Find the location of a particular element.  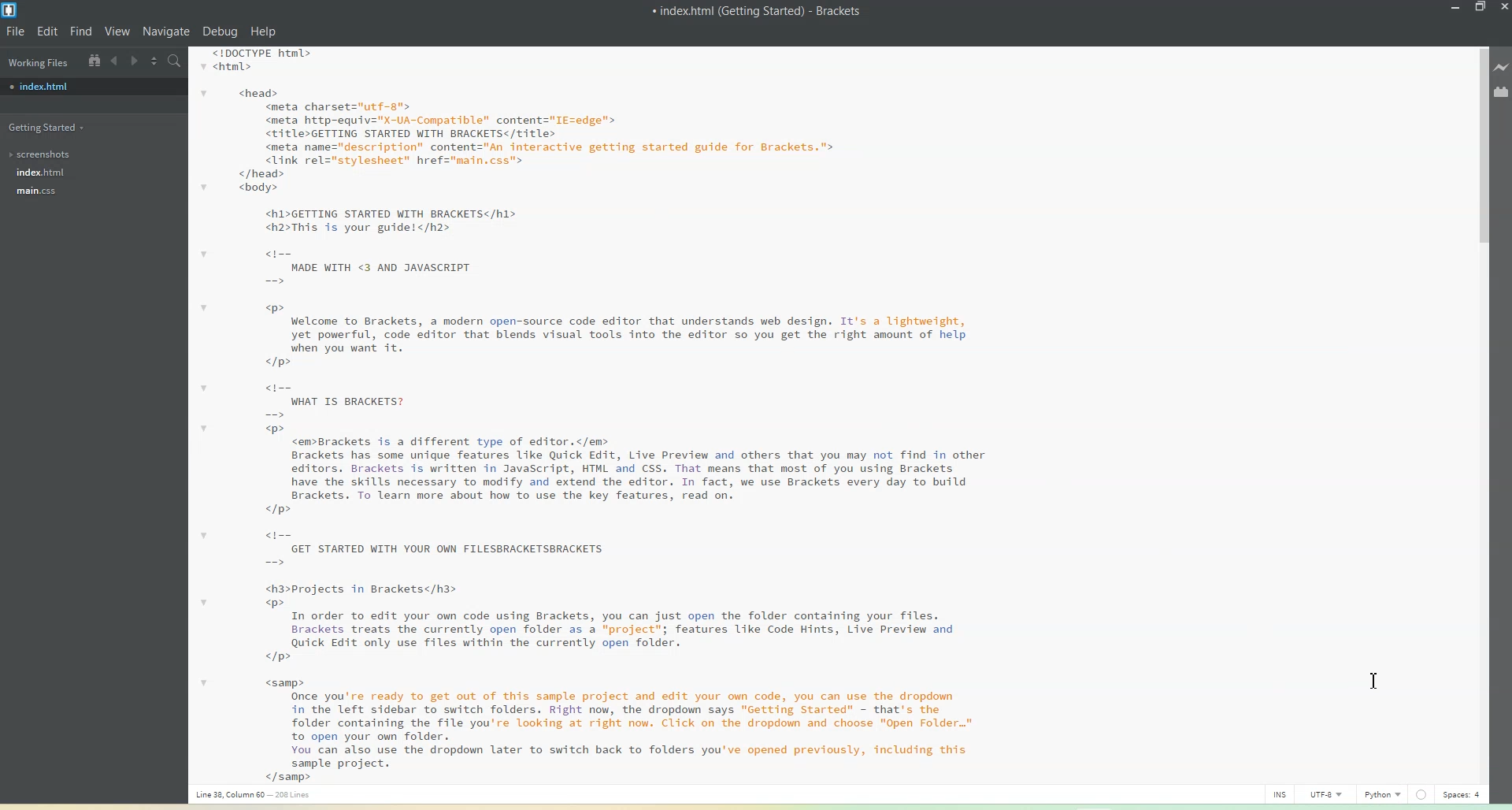

Text is located at coordinates (758, 10).